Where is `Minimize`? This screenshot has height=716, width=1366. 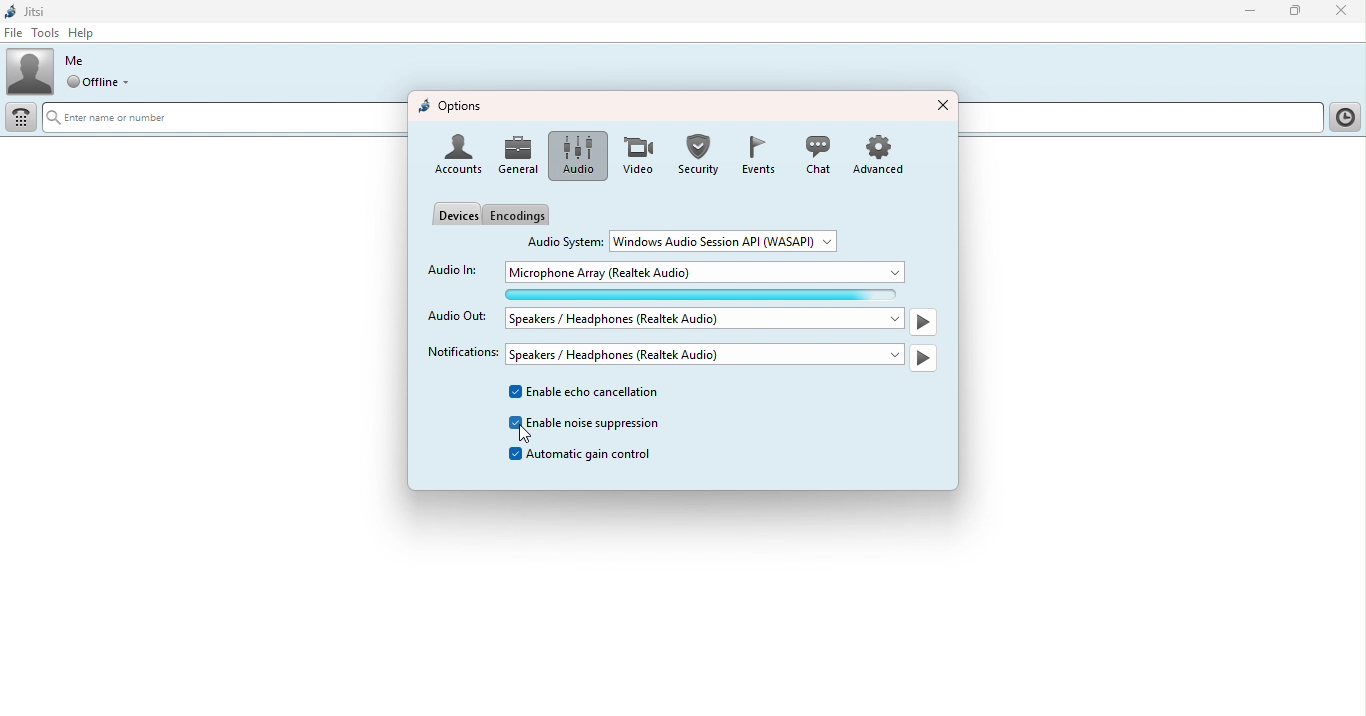 Minimize is located at coordinates (1244, 10).